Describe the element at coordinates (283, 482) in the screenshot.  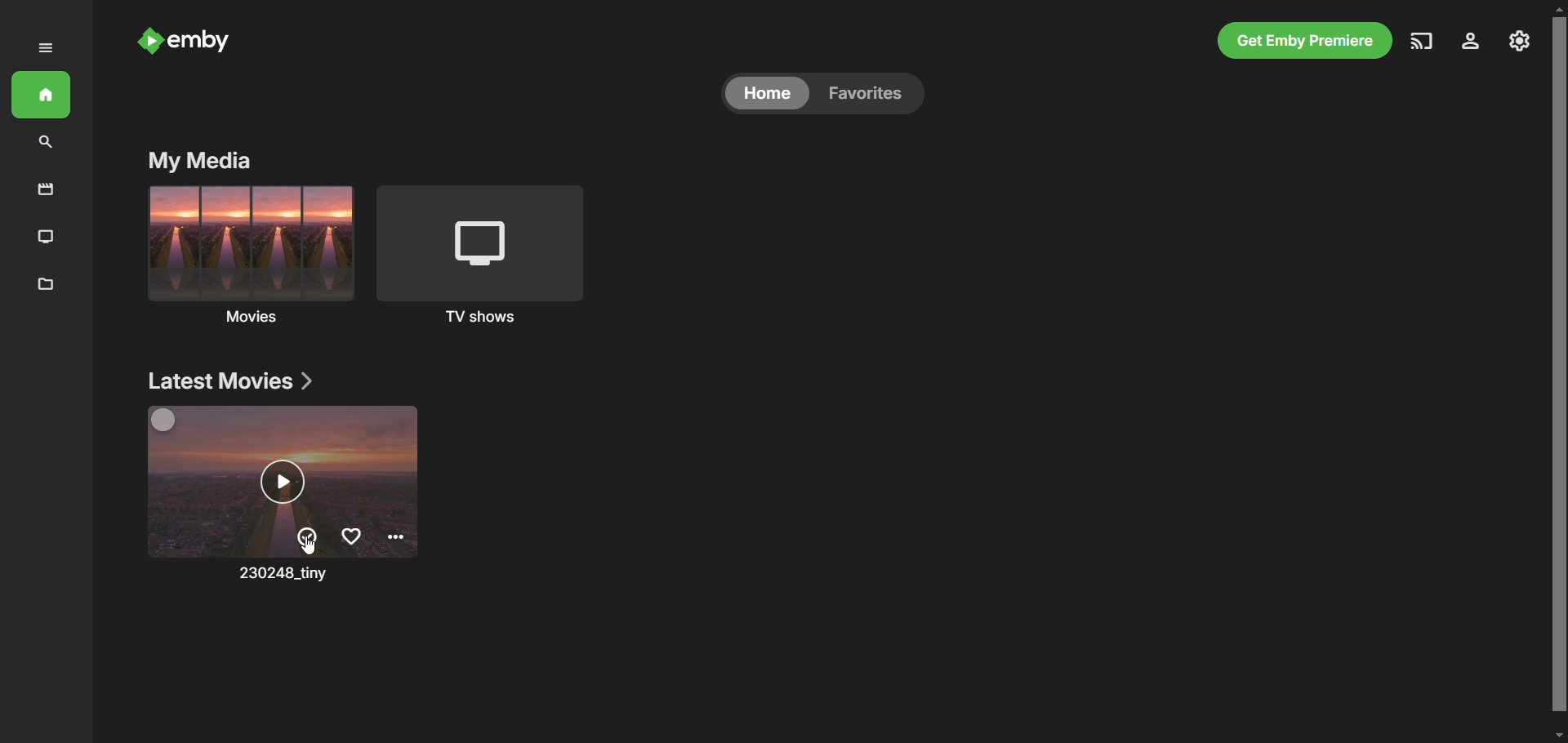
I see `movie` at that location.